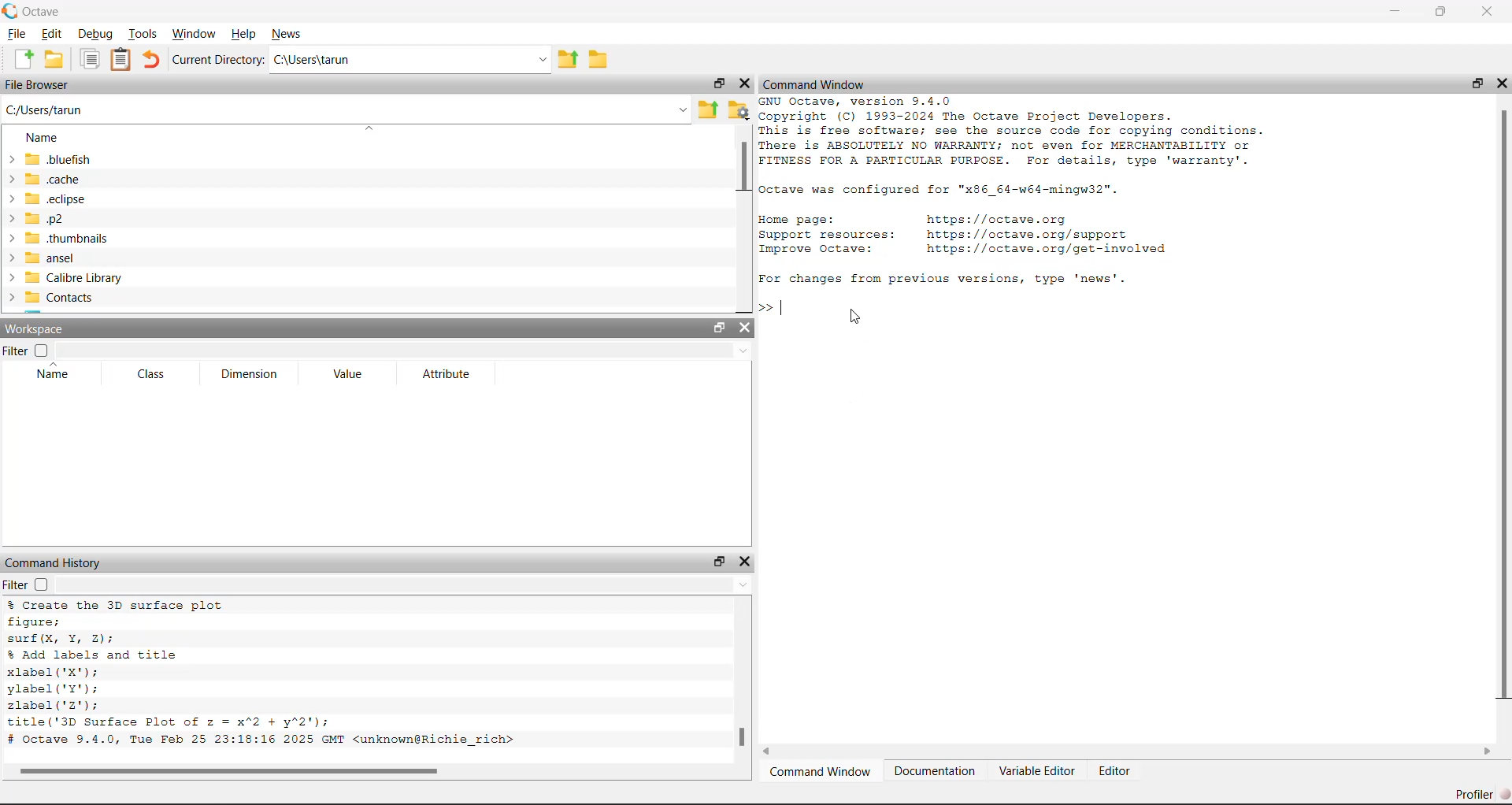 The width and height of the screenshot is (1512, 805). What do you see at coordinates (35, 218) in the screenshot?
I see `p2` at bounding box center [35, 218].